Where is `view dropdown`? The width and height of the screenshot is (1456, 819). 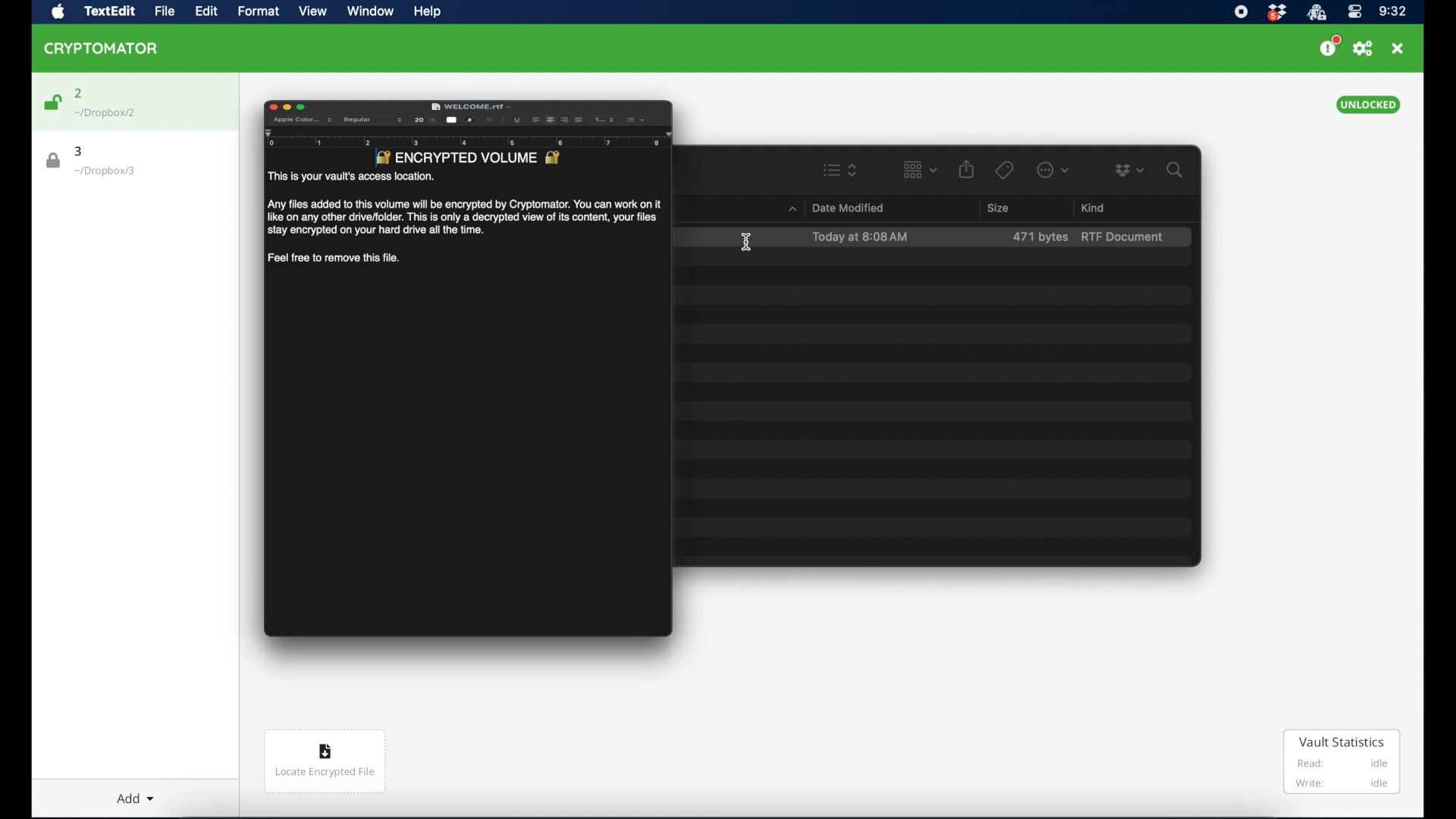
view dropdown is located at coordinates (921, 170).